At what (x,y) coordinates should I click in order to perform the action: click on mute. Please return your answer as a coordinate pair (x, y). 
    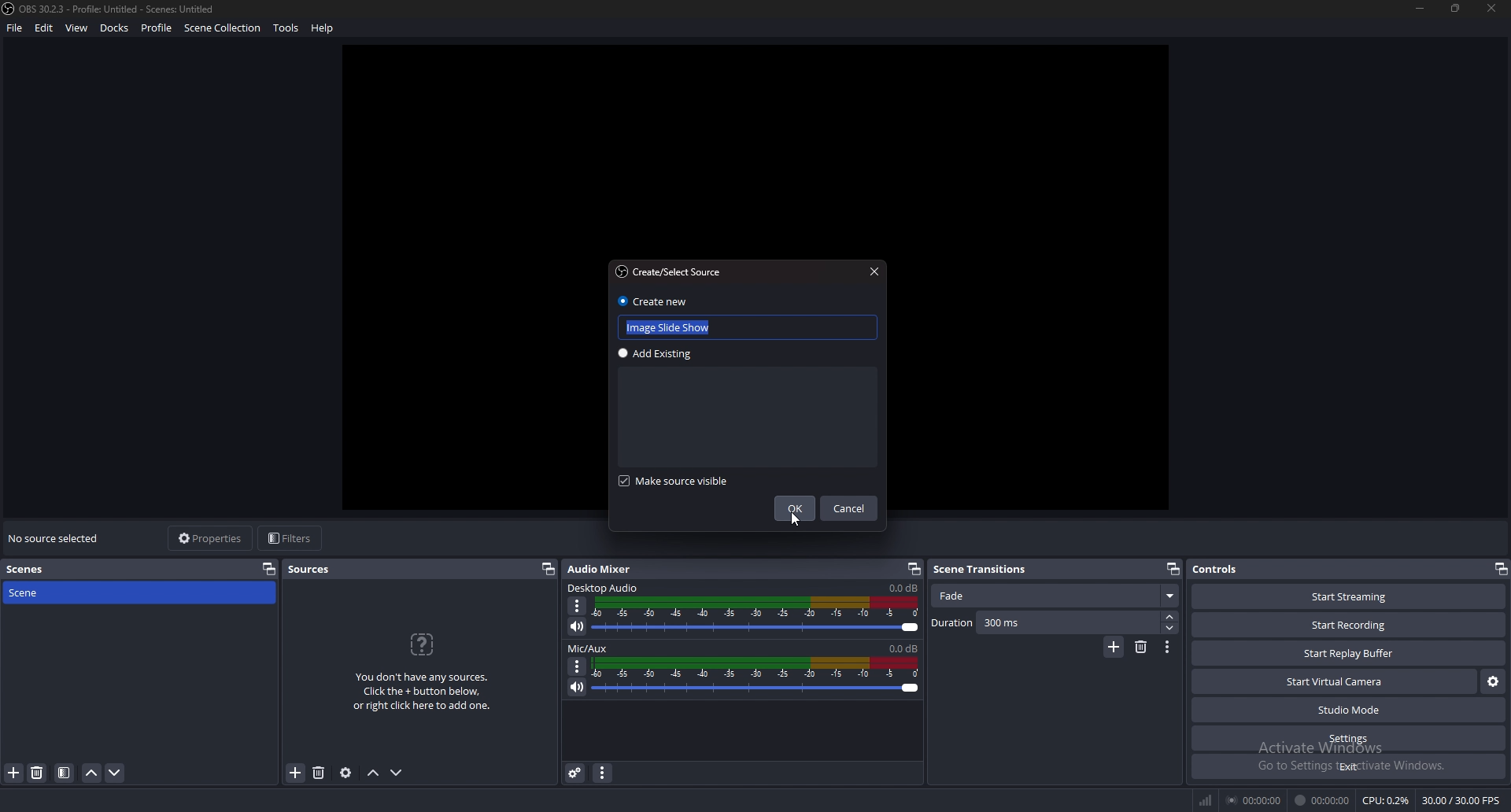
    Looking at the image, I should click on (577, 626).